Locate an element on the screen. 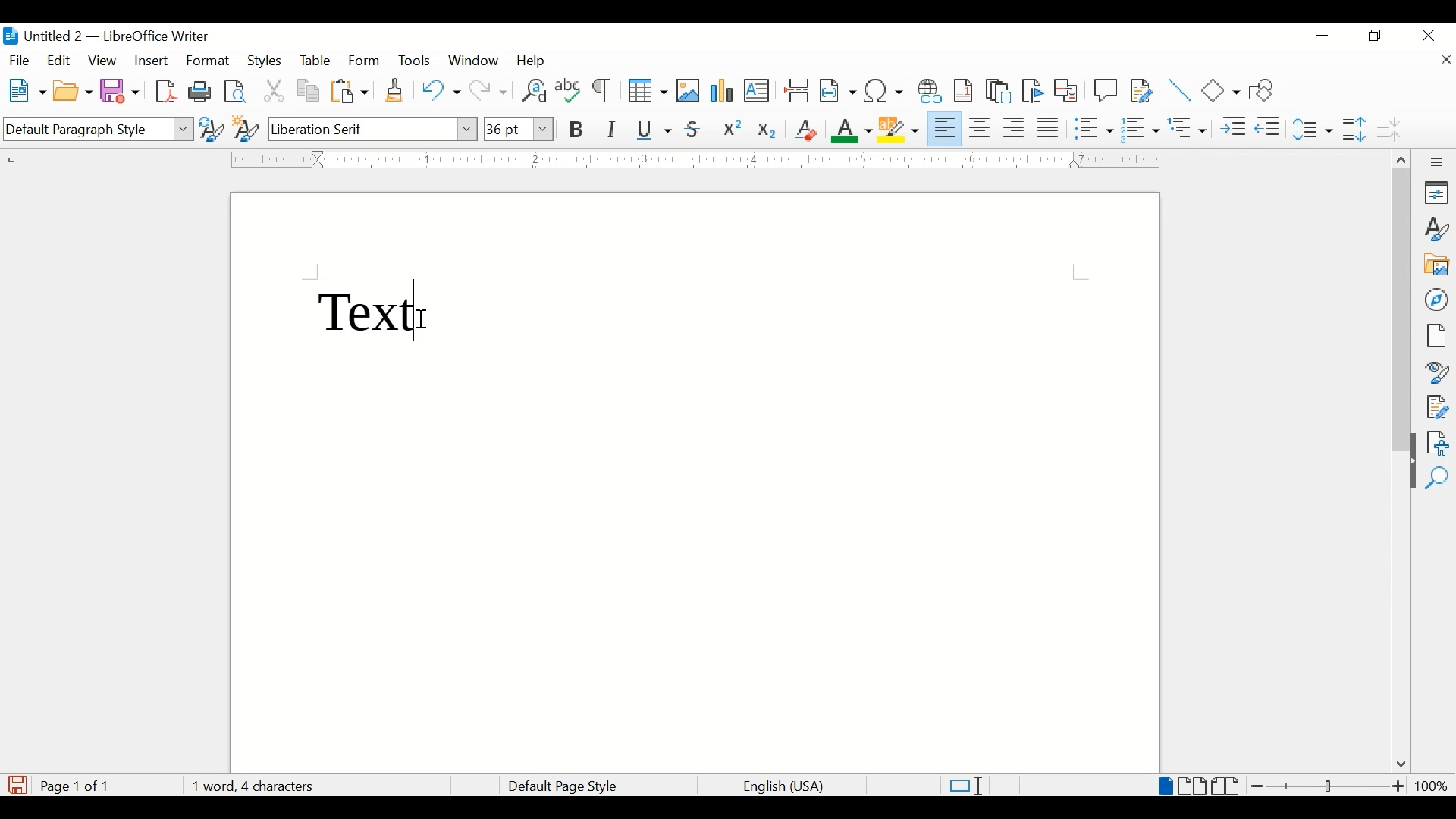 The height and width of the screenshot is (819, 1456). margin is located at coordinates (692, 159).